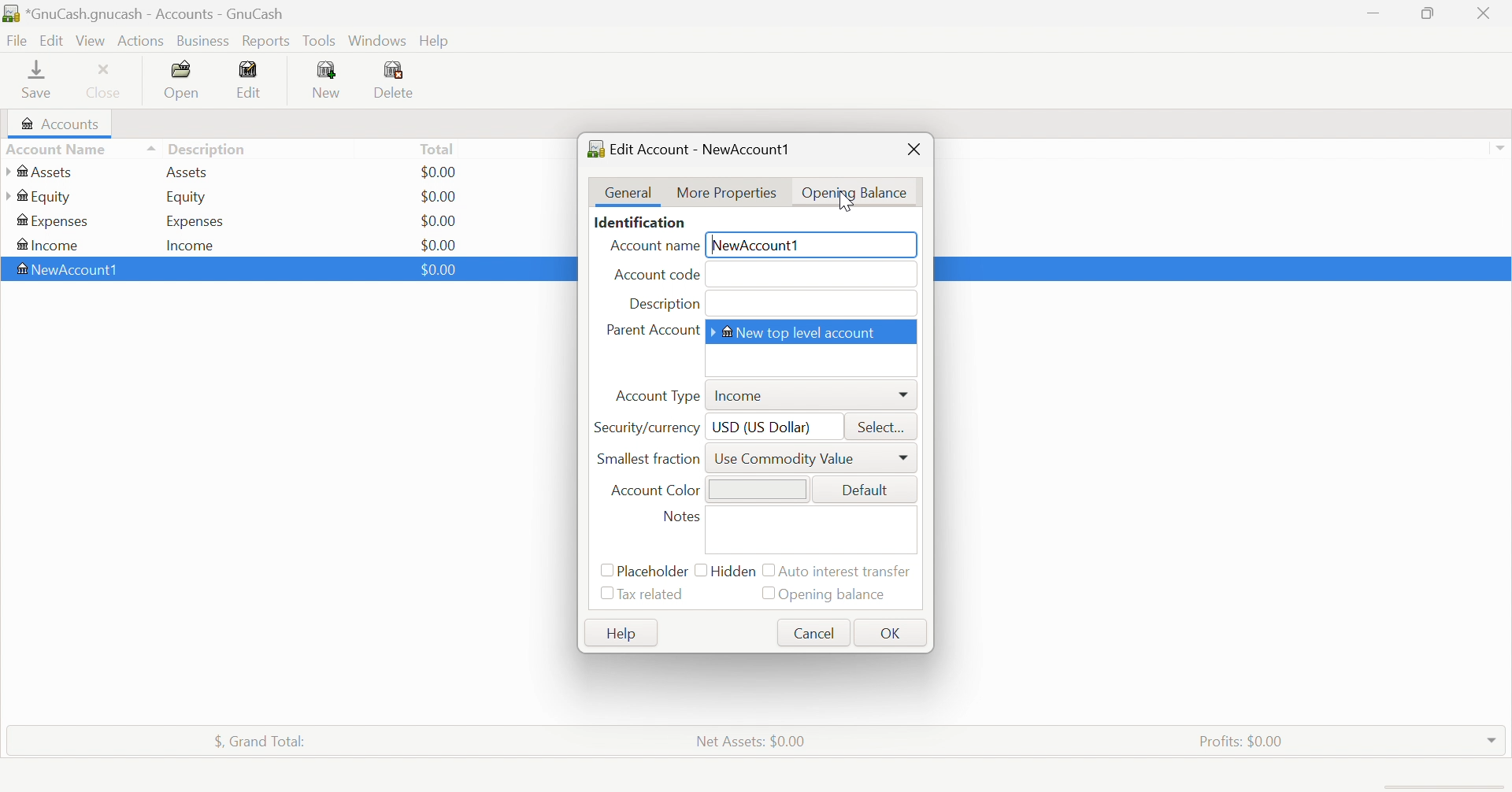 Image resolution: width=1512 pixels, height=792 pixels. I want to click on Windows, so click(376, 40).